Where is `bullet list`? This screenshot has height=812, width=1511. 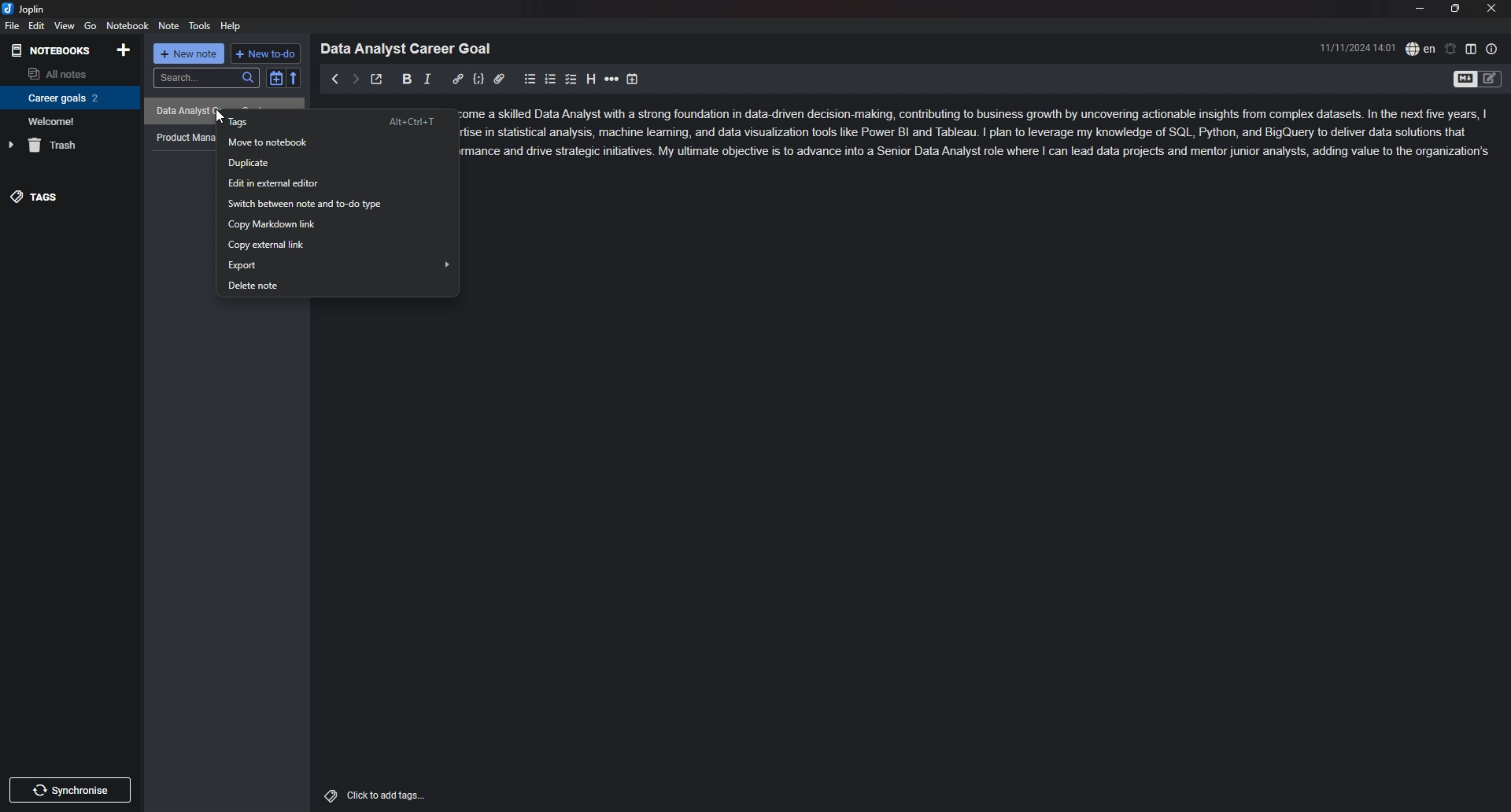
bullet list is located at coordinates (530, 79).